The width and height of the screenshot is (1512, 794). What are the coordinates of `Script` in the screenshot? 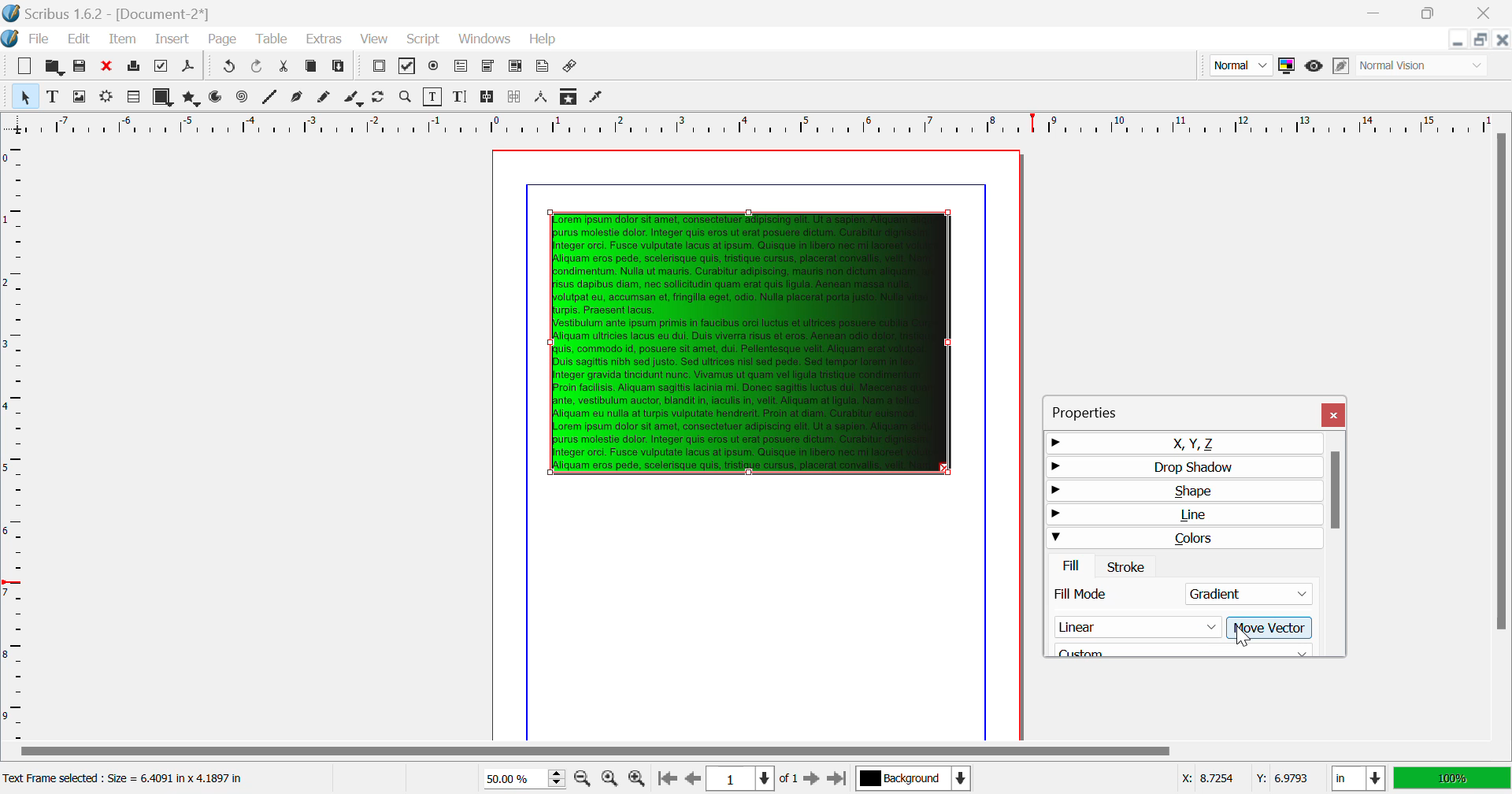 It's located at (424, 38).